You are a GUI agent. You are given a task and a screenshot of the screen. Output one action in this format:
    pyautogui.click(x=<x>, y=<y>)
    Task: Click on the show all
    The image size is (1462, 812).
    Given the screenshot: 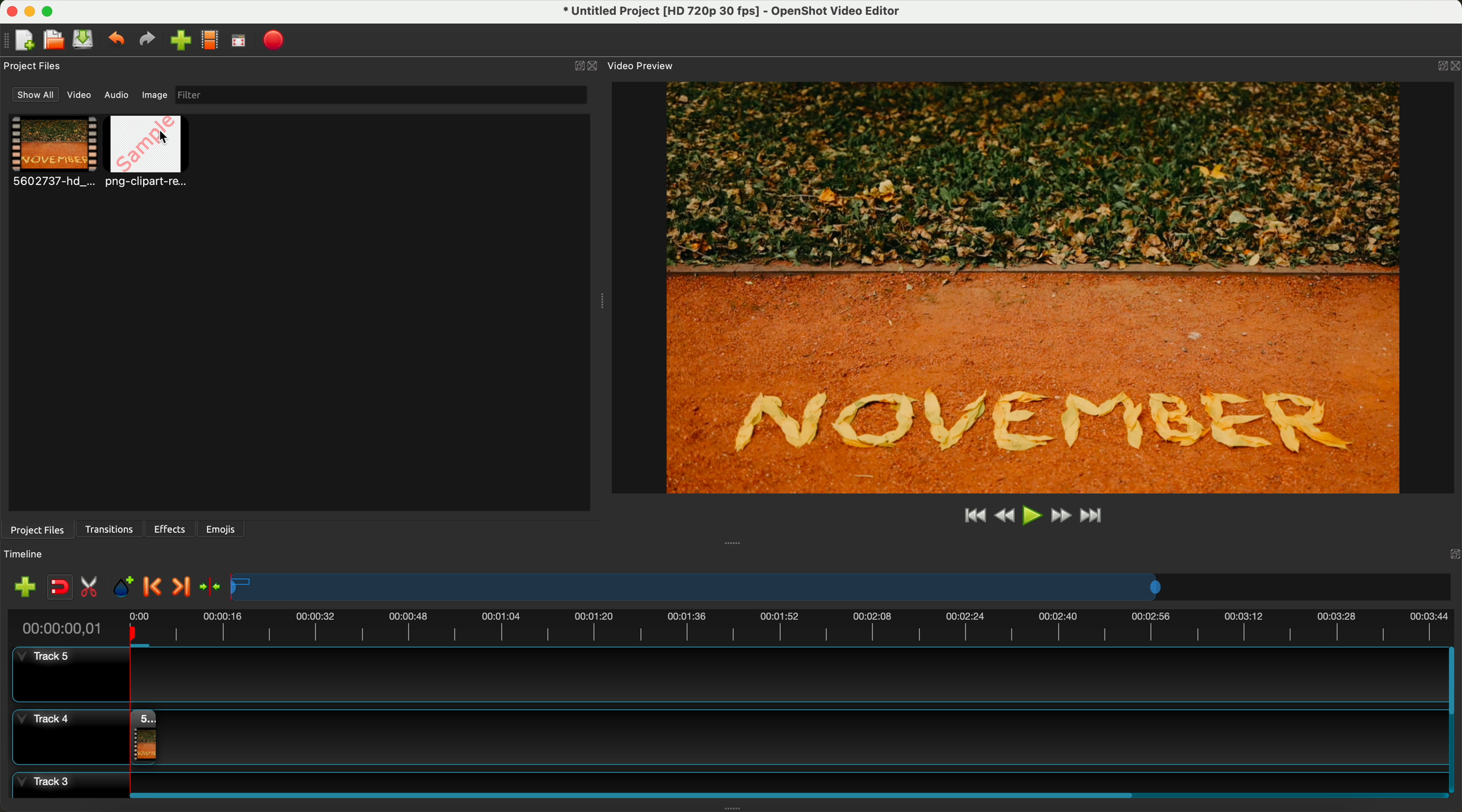 What is the action you would take?
    pyautogui.click(x=36, y=95)
    